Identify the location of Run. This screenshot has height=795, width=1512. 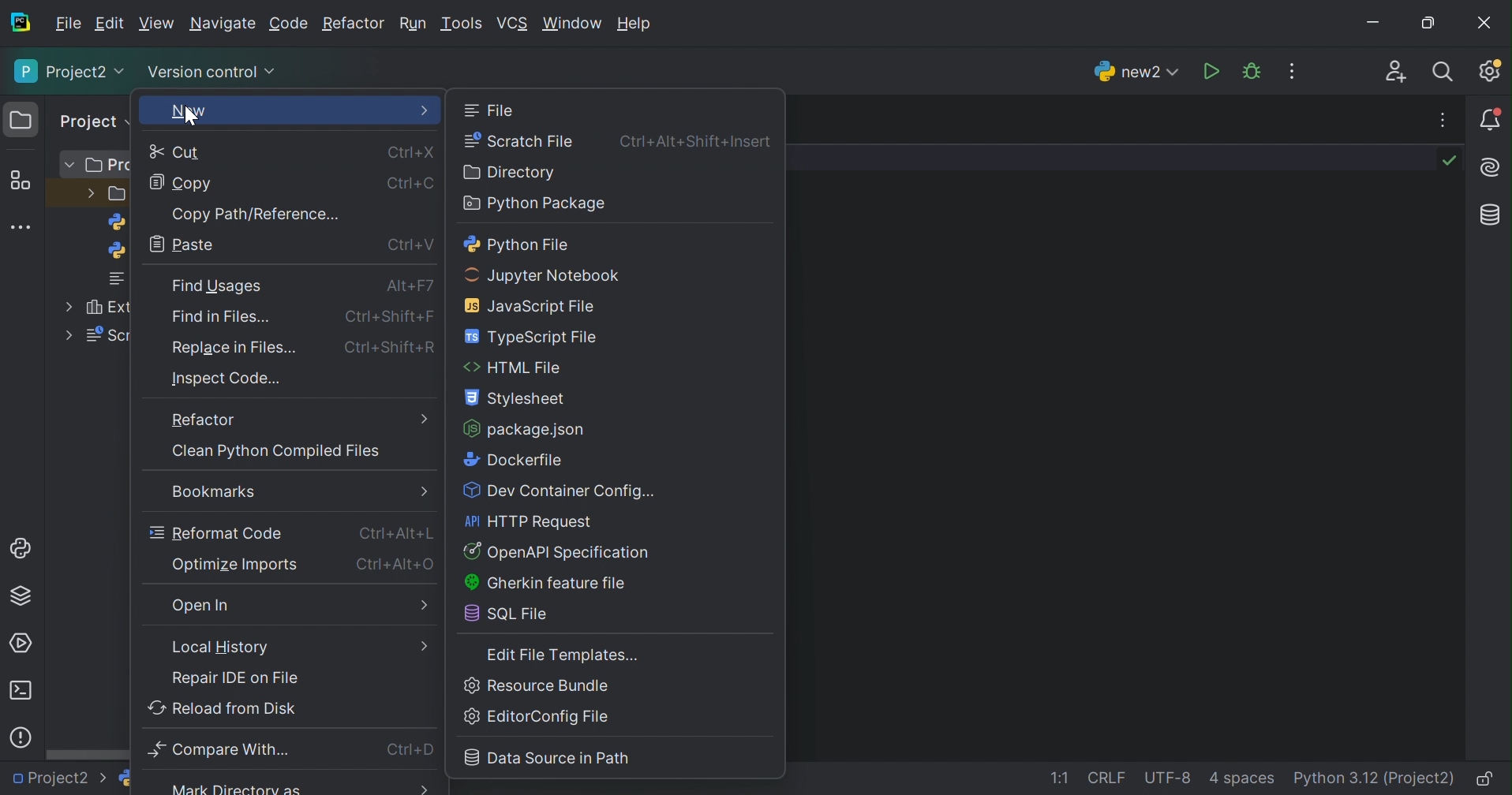
(1210, 71).